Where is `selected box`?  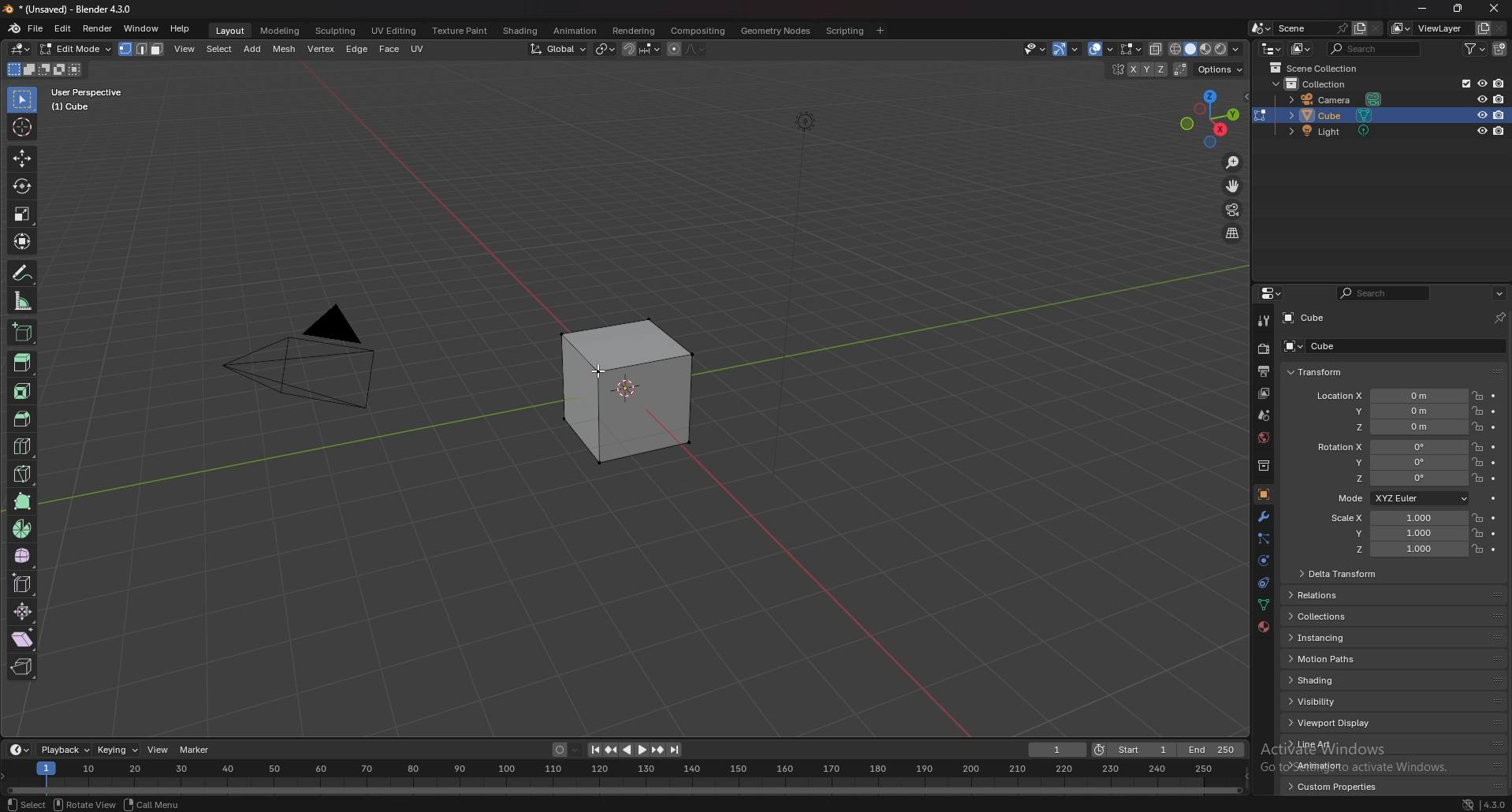
selected box is located at coordinates (628, 394).